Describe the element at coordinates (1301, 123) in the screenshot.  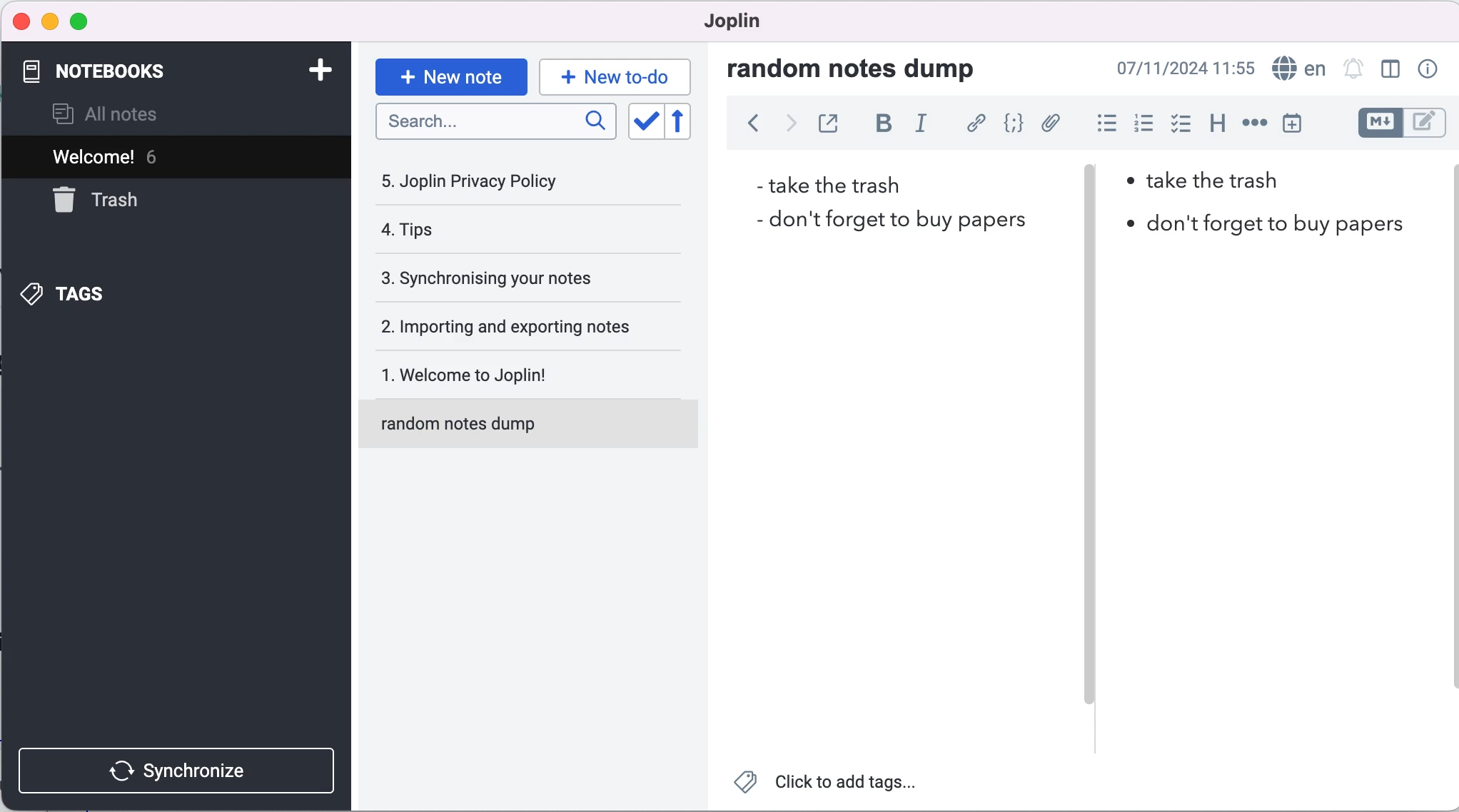
I see `insert time` at that location.